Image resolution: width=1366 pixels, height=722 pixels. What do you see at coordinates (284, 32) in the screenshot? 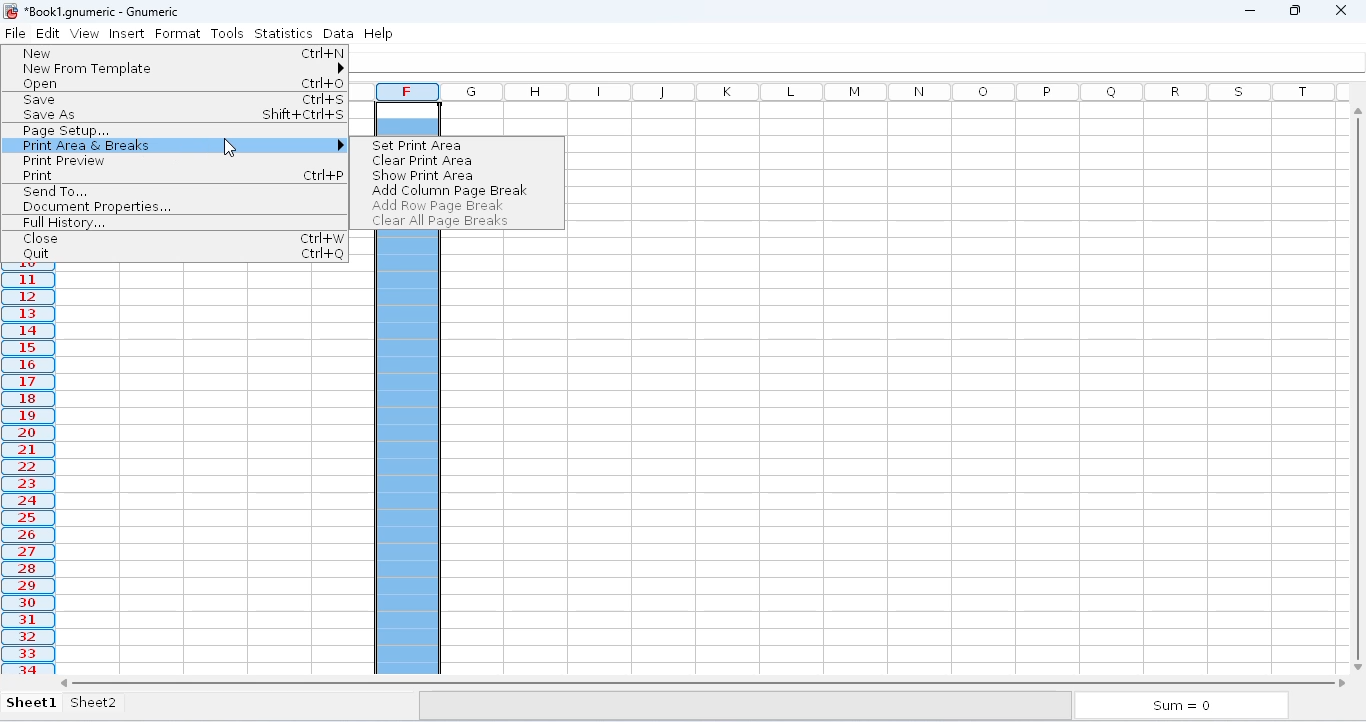
I see `statistics` at bounding box center [284, 32].